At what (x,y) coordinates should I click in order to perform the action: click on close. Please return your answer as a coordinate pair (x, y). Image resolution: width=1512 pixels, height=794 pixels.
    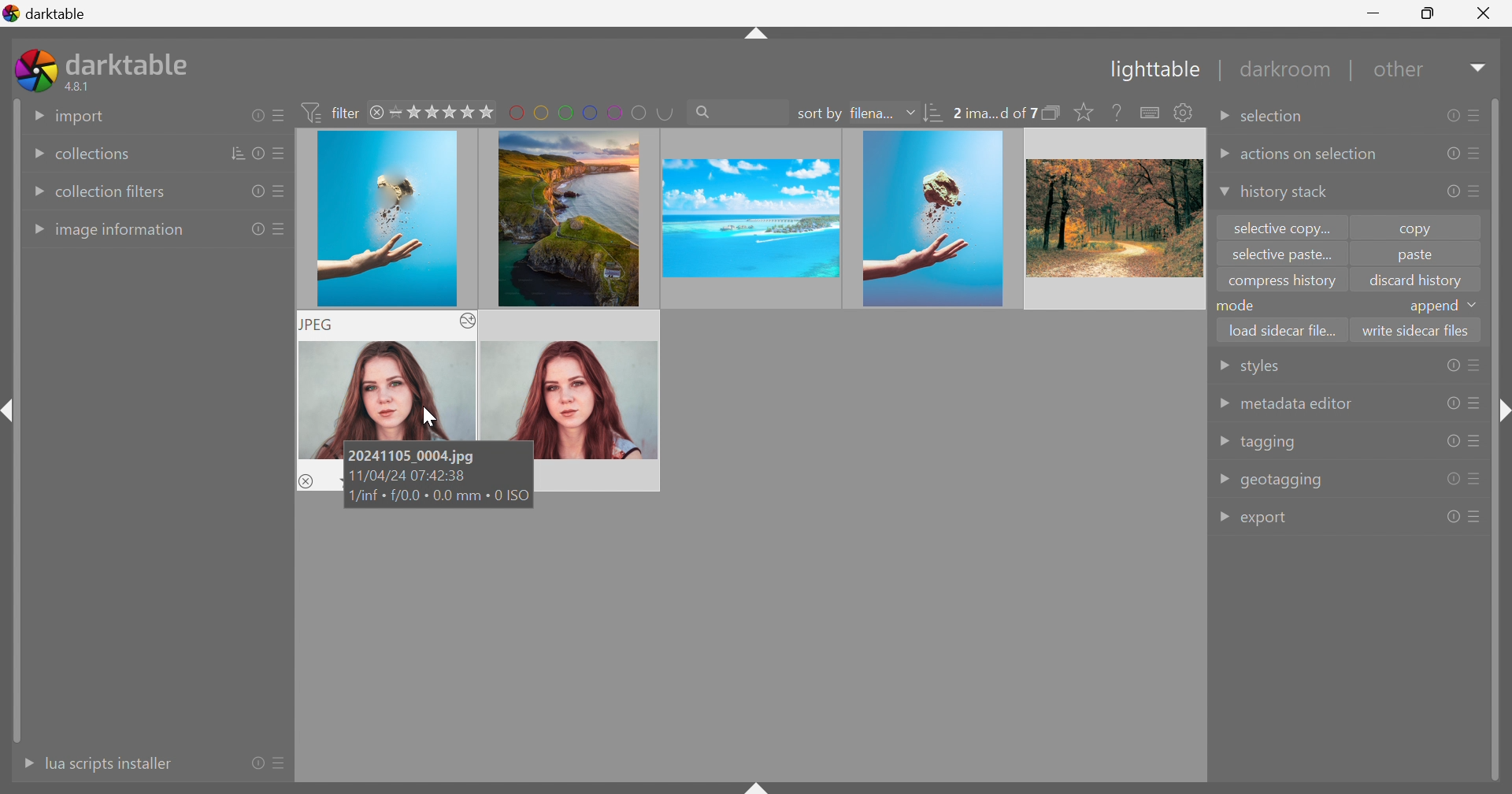
    Looking at the image, I should click on (379, 114).